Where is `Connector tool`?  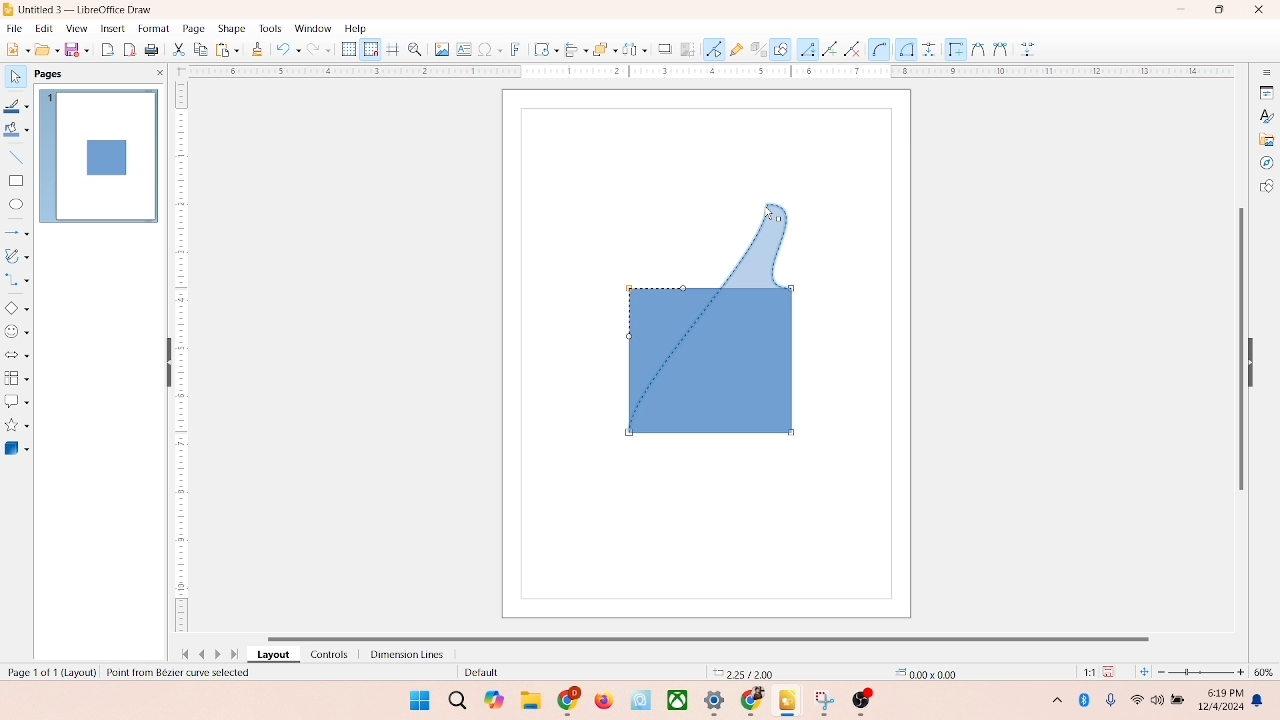 Connector tool is located at coordinates (906, 49).